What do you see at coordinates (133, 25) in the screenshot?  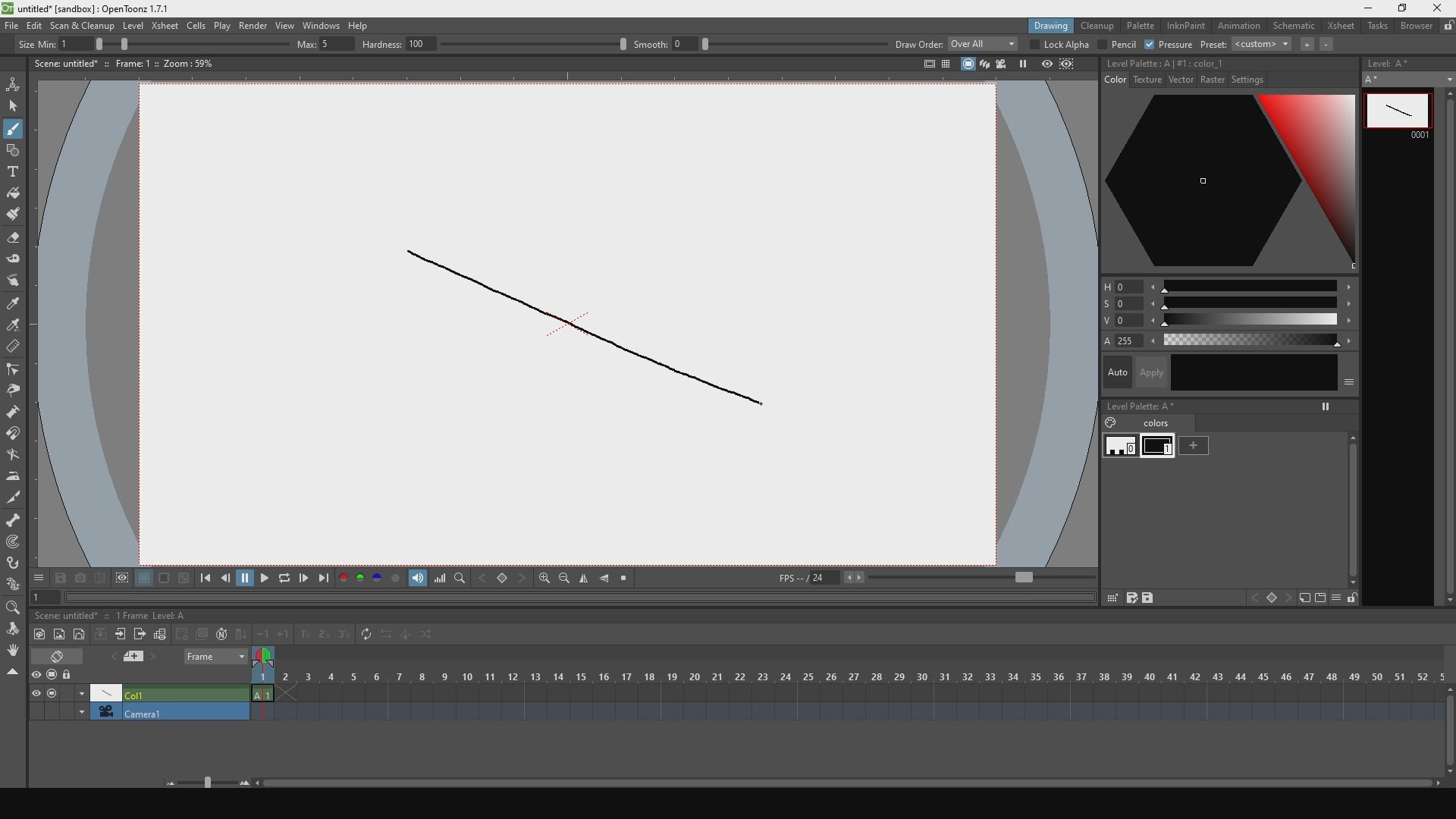 I see `level` at bounding box center [133, 25].